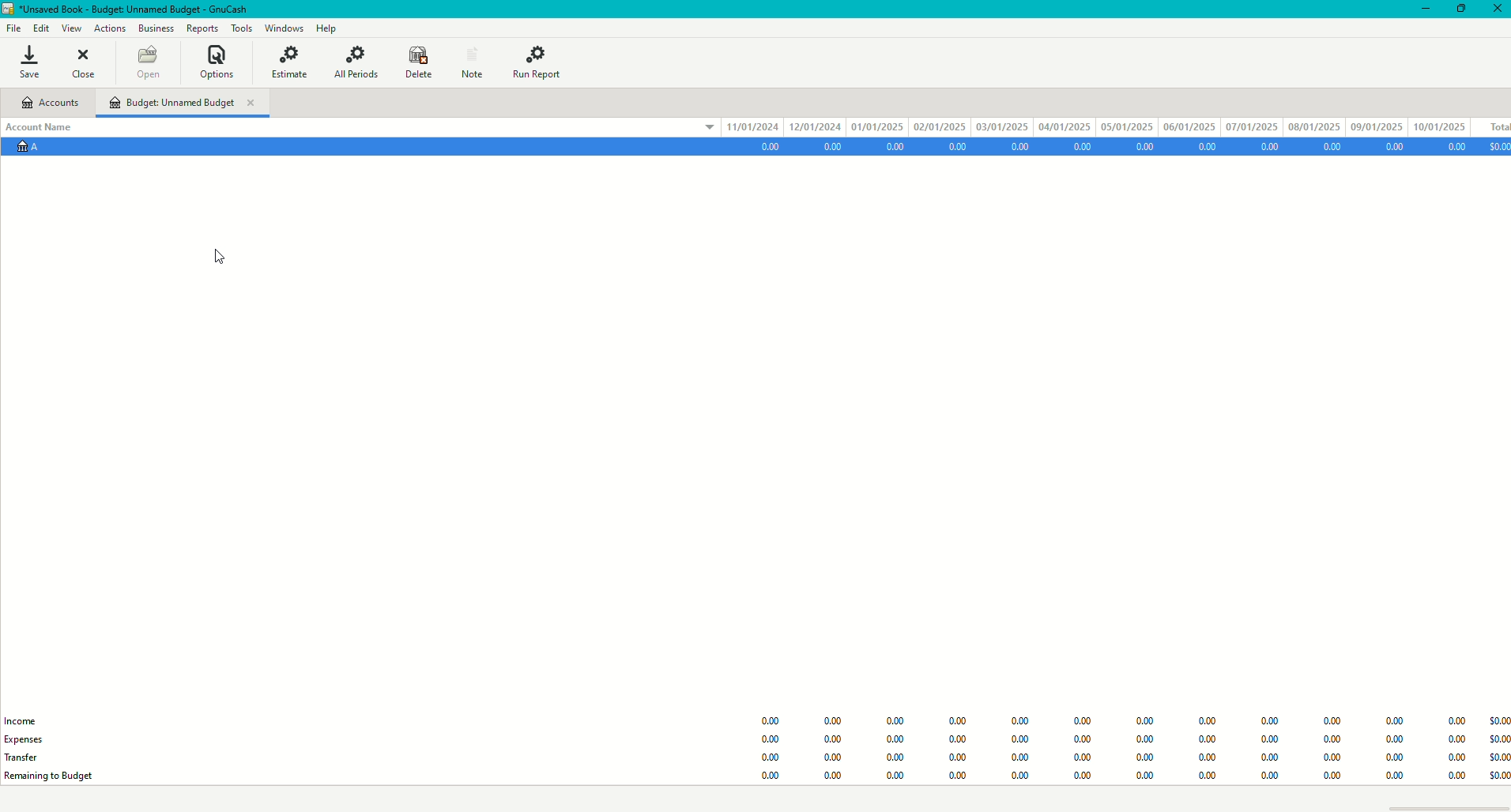  Describe the element at coordinates (1463, 10) in the screenshot. I see `Restore` at that location.